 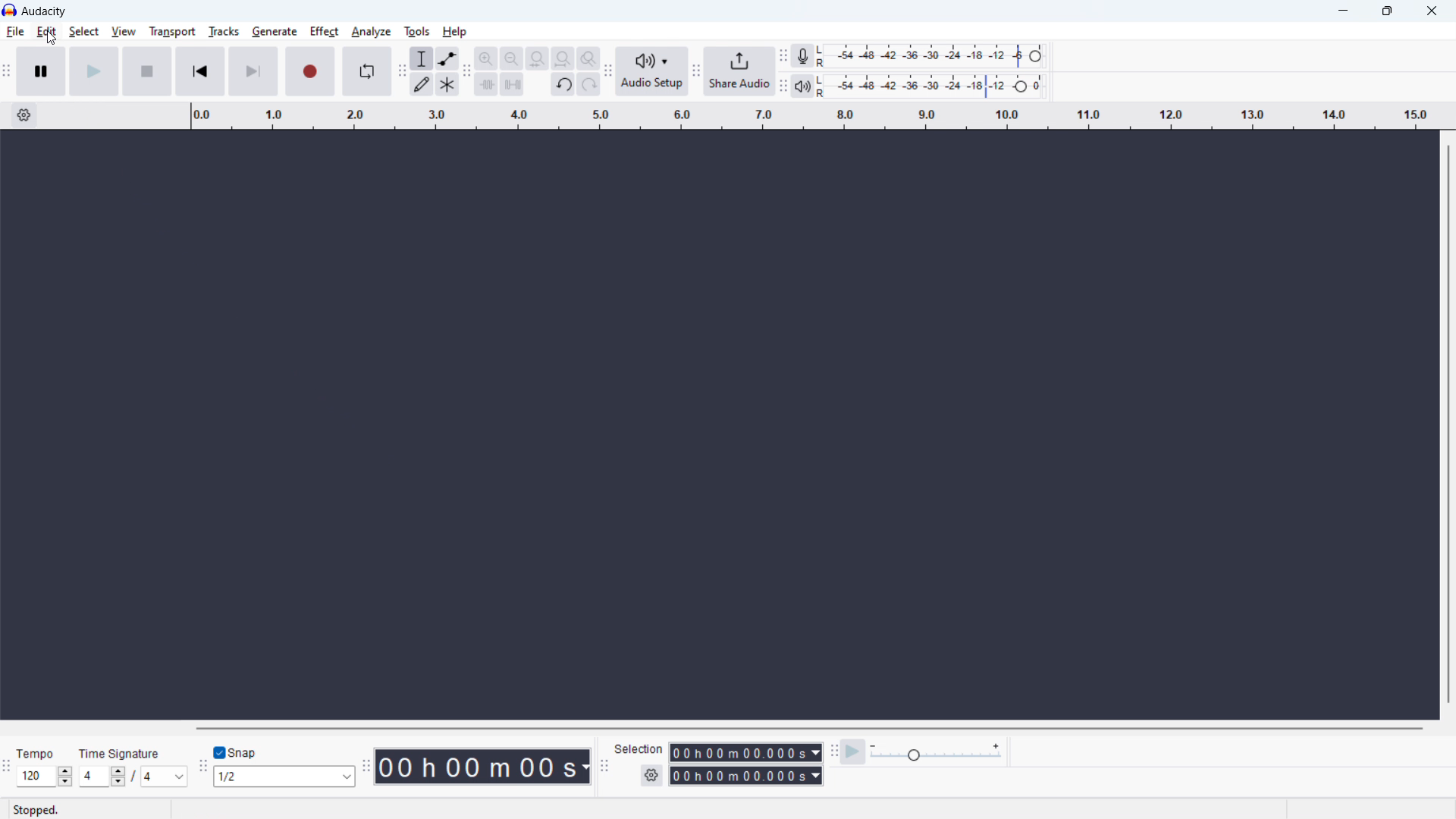 What do you see at coordinates (237, 753) in the screenshot?
I see `toggle snap` at bounding box center [237, 753].